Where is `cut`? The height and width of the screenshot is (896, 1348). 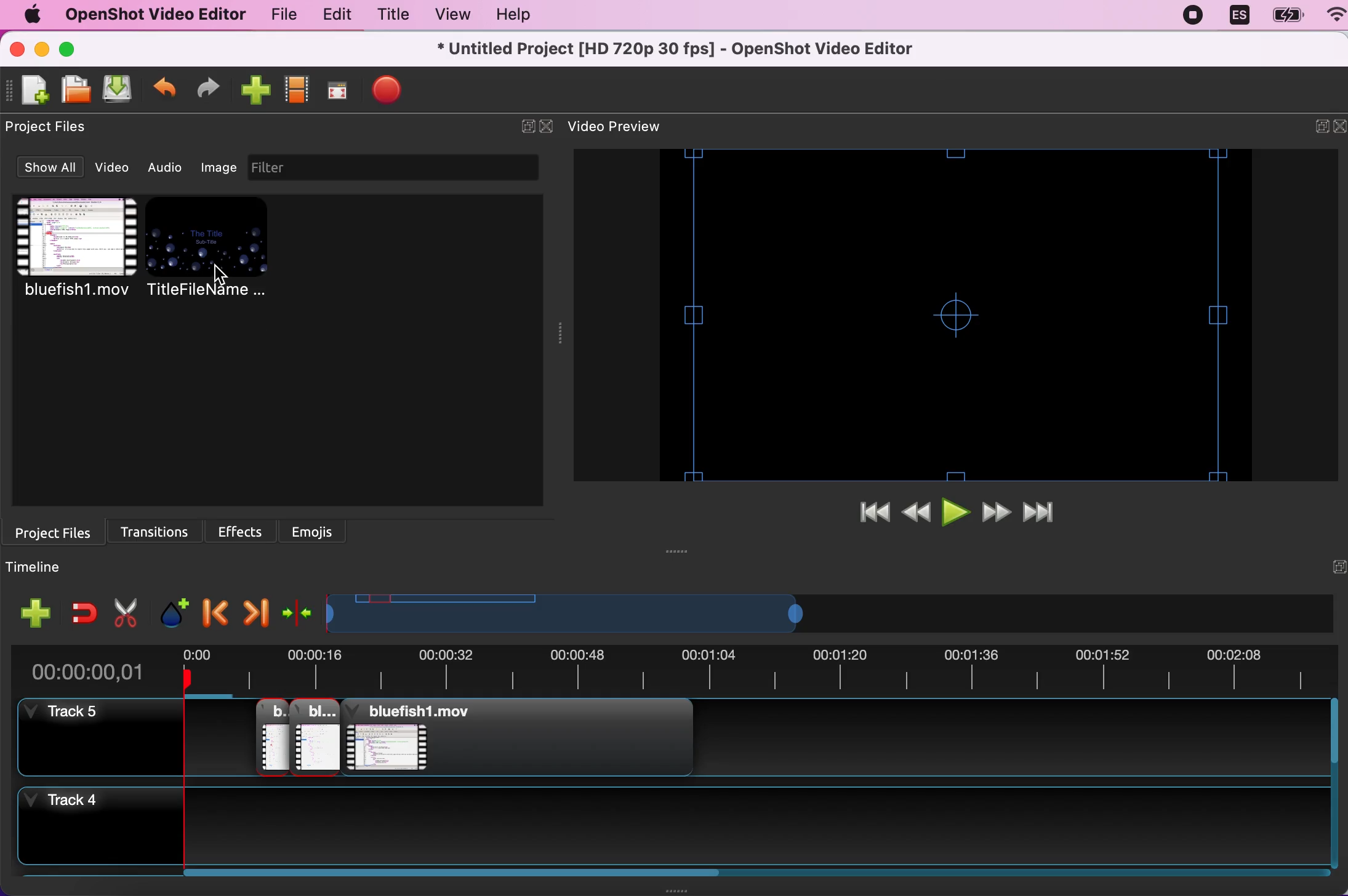 cut is located at coordinates (126, 610).